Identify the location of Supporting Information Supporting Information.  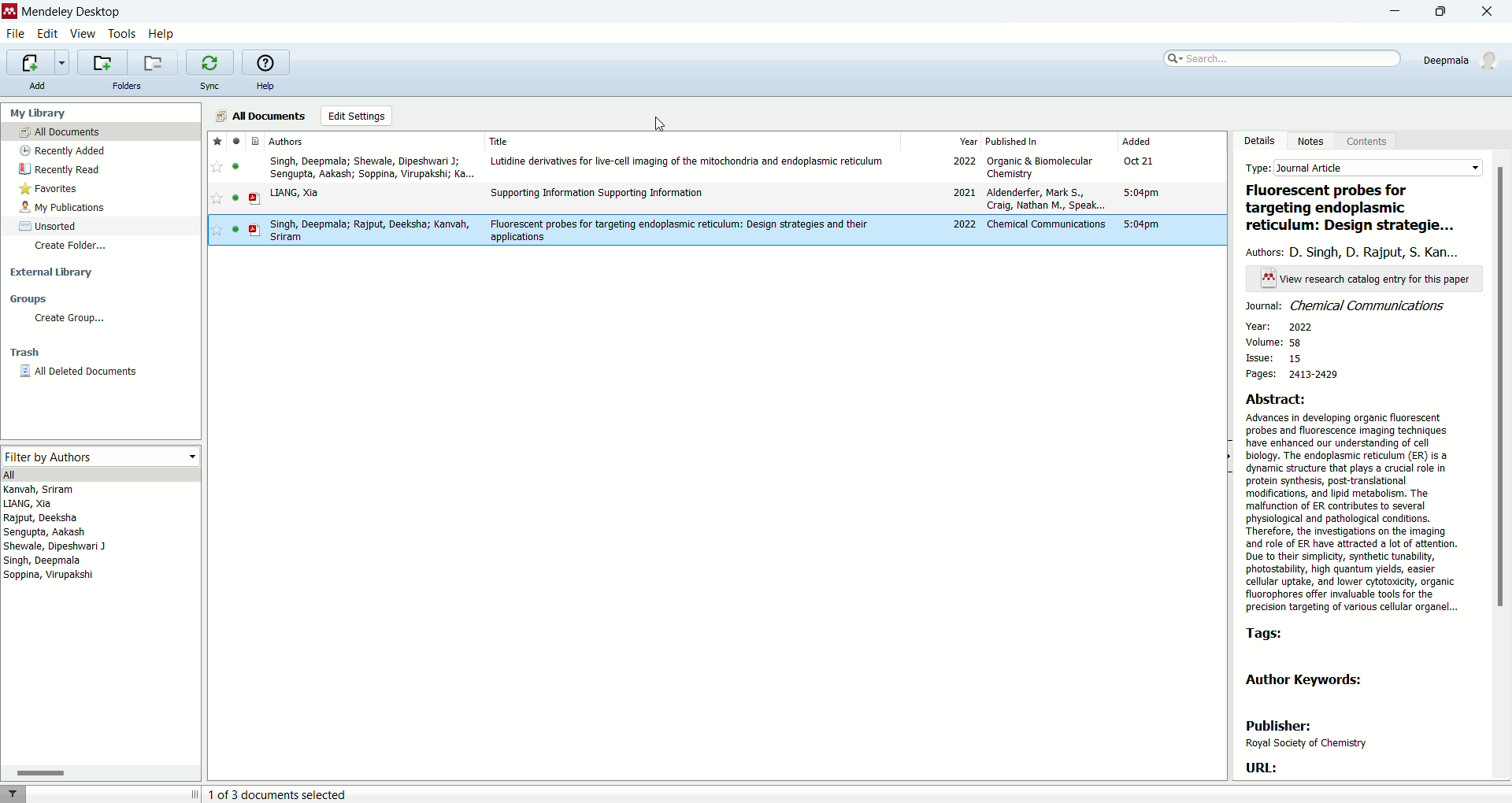
(598, 194).